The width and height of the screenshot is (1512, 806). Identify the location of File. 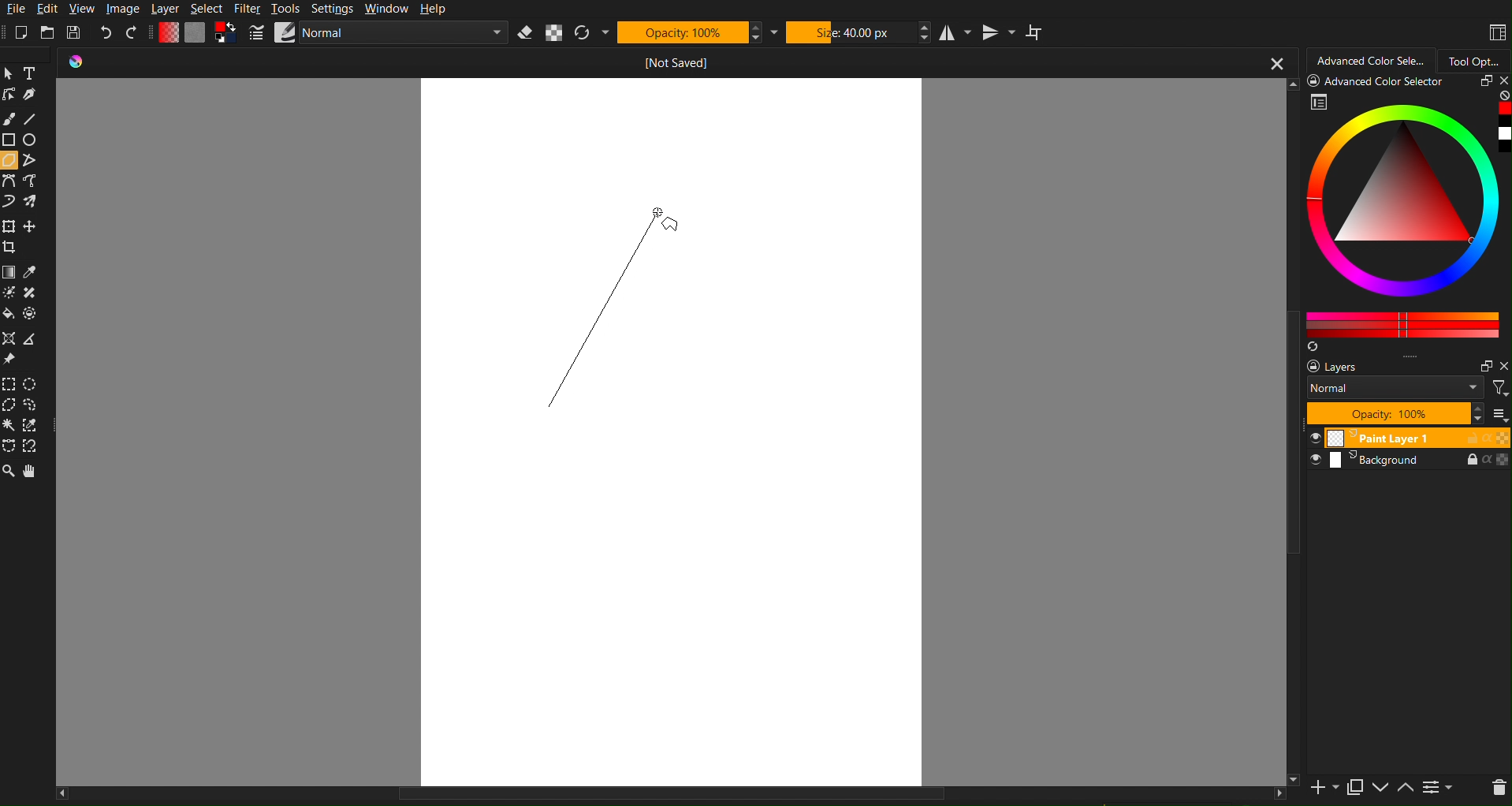
(15, 9).